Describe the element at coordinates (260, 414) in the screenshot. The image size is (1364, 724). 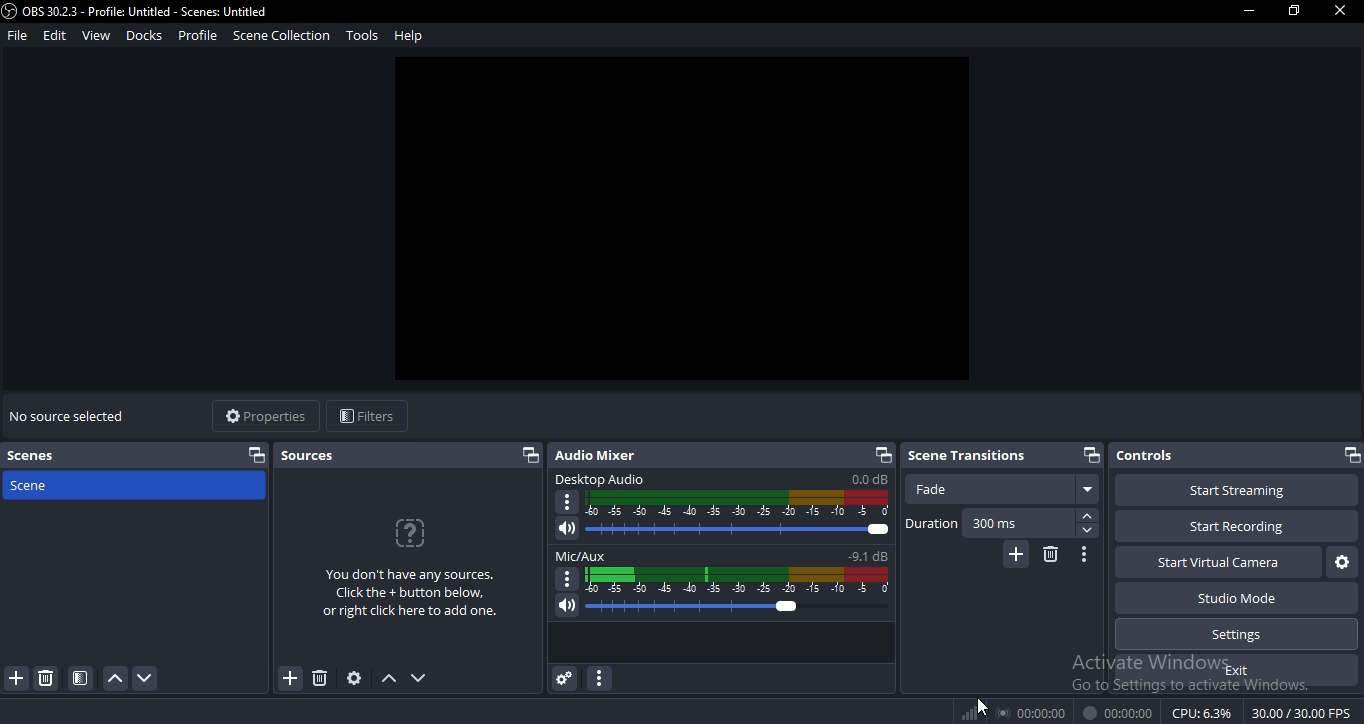
I see `properties` at that location.